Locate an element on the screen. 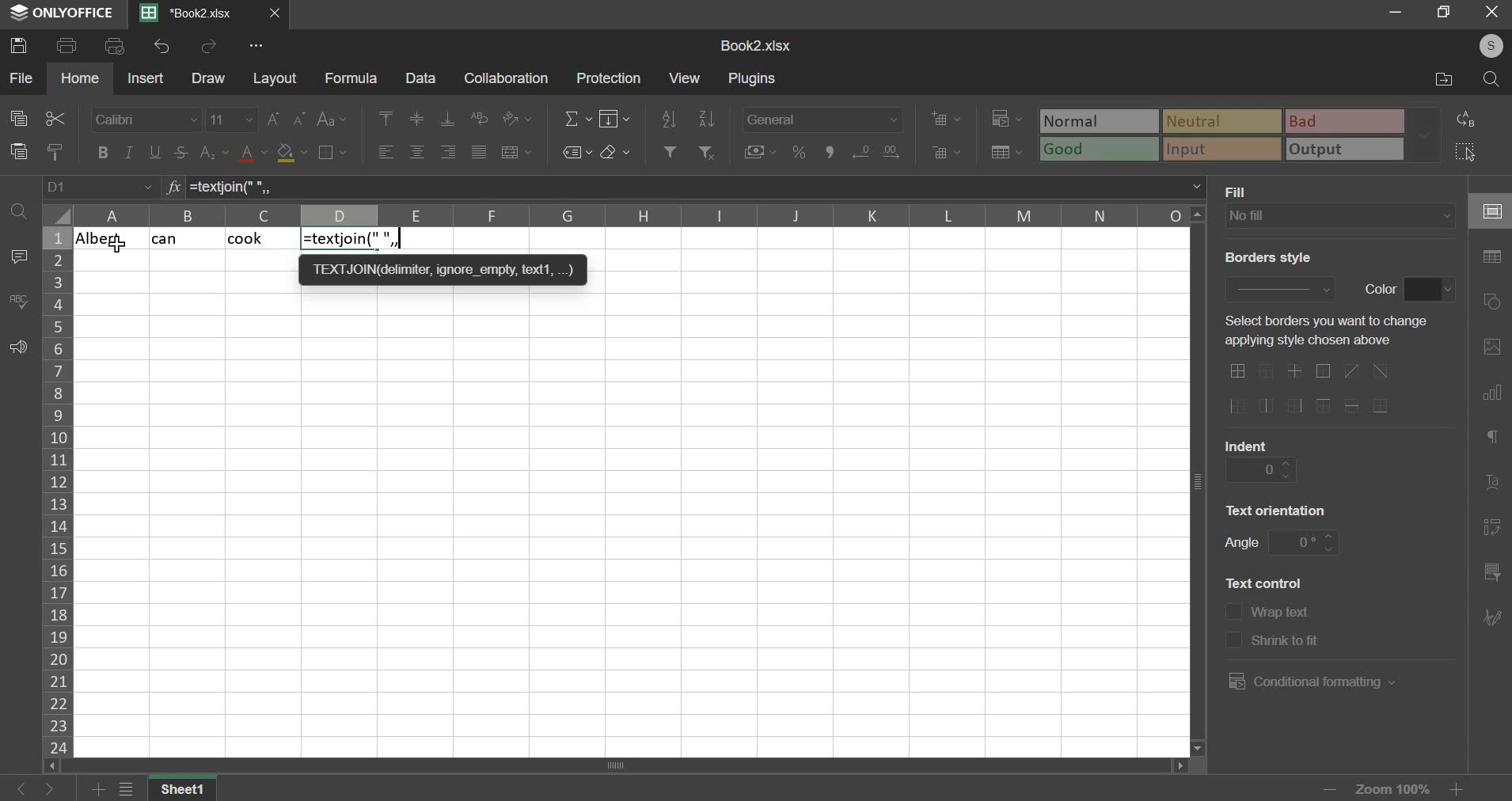 This screenshot has width=1512, height=801. merge & center is located at coordinates (517, 152).